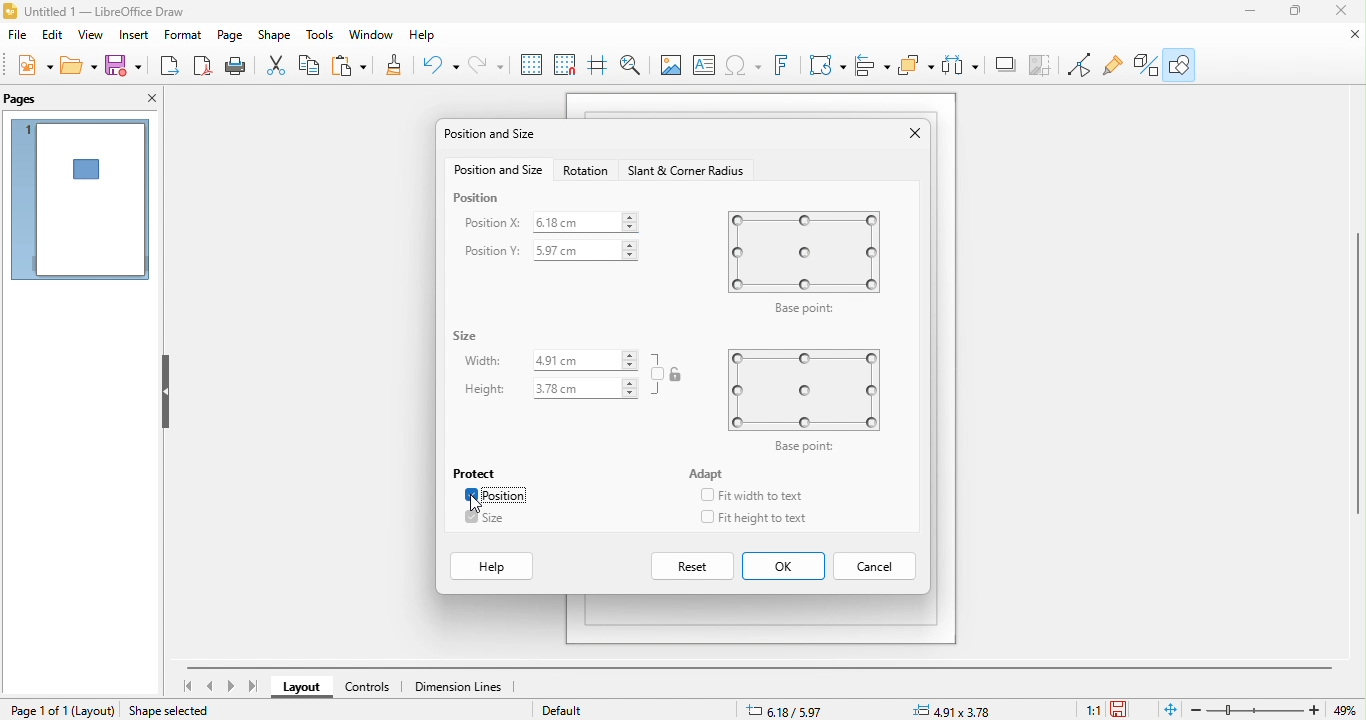 The height and width of the screenshot is (720, 1366). Describe the element at coordinates (137, 37) in the screenshot. I see `insert` at that location.